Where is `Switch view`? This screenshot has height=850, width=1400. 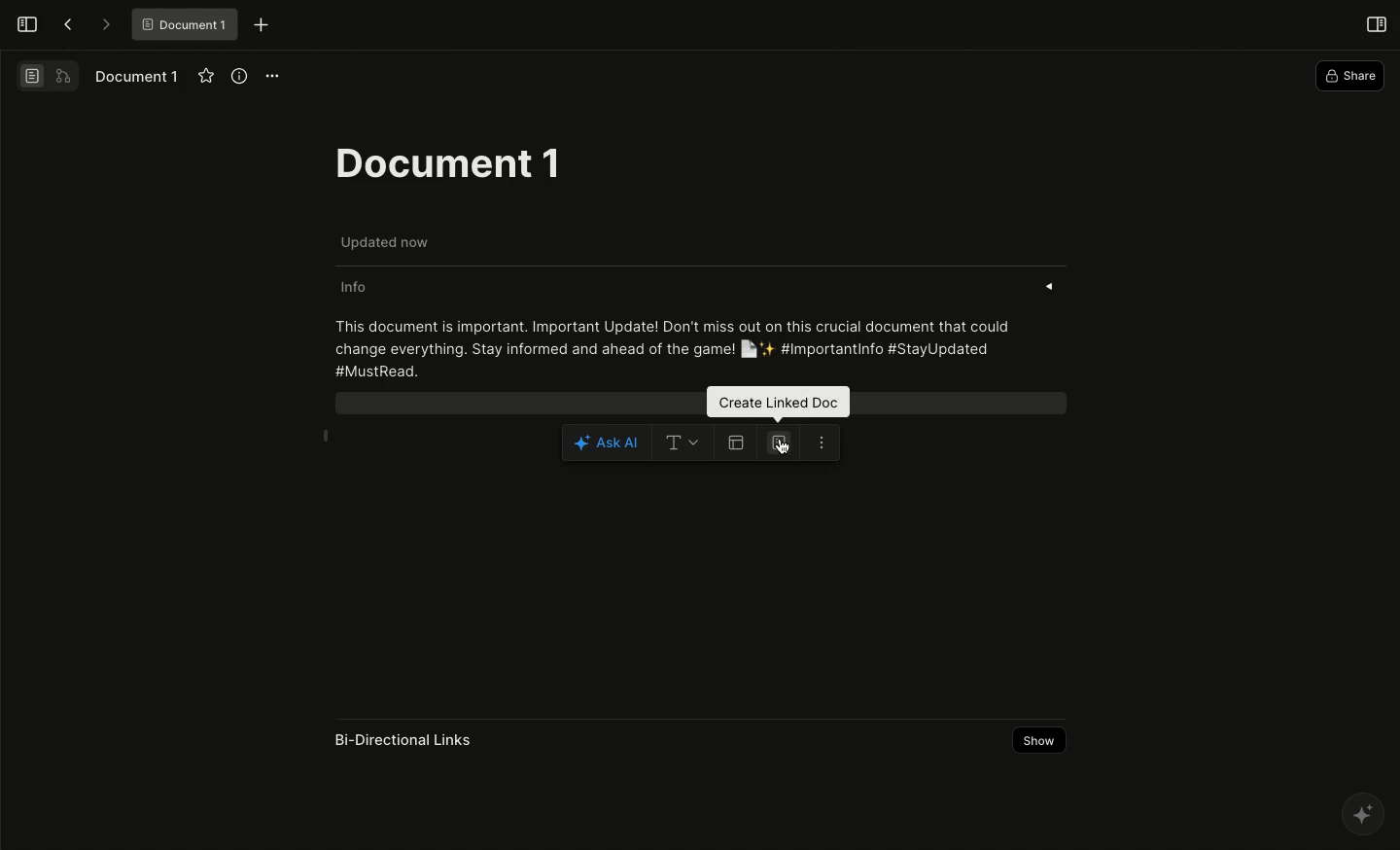
Switch view is located at coordinates (46, 76).